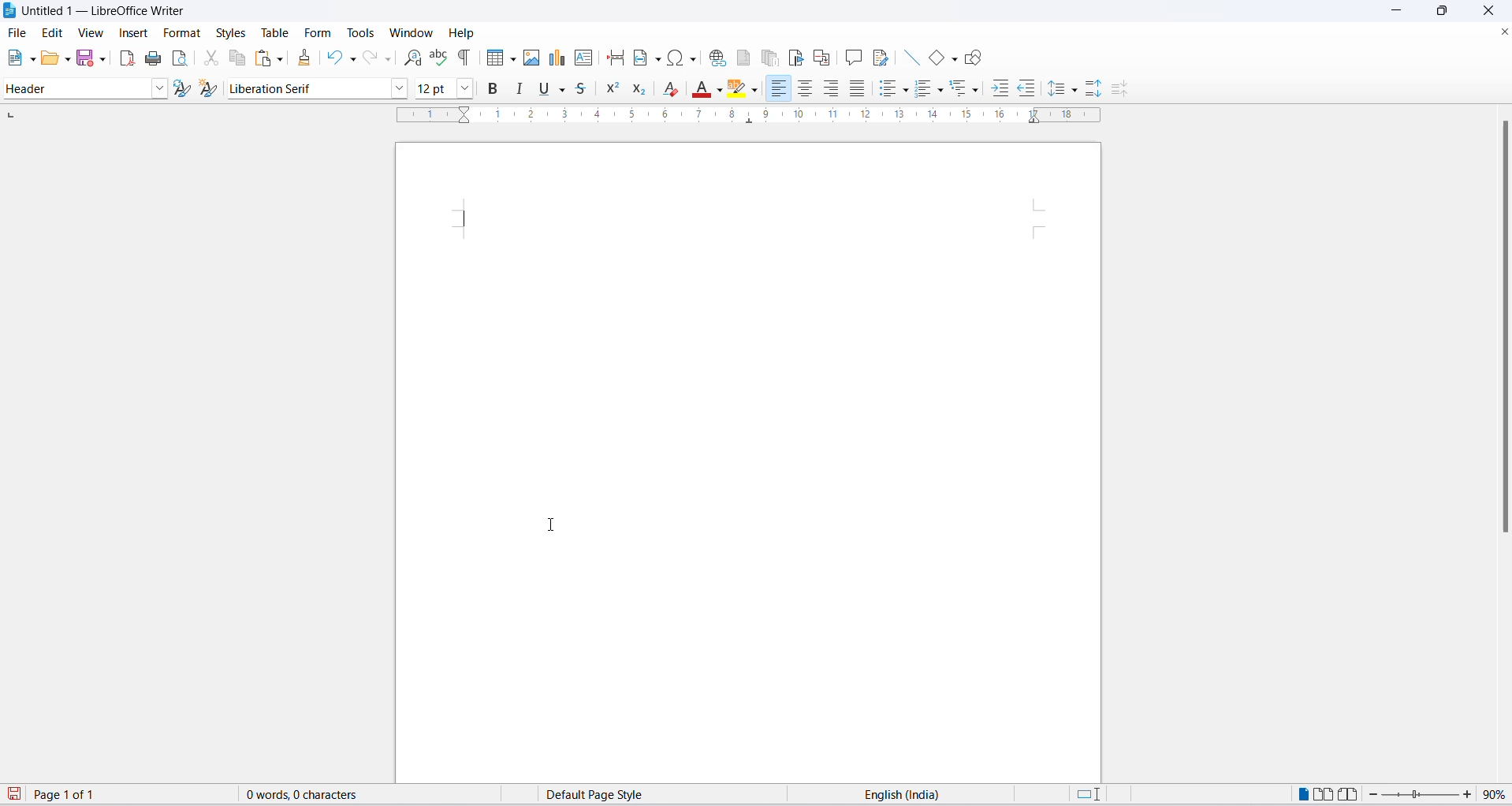  Describe the element at coordinates (963, 91) in the screenshot. I see `outline format` at that location.